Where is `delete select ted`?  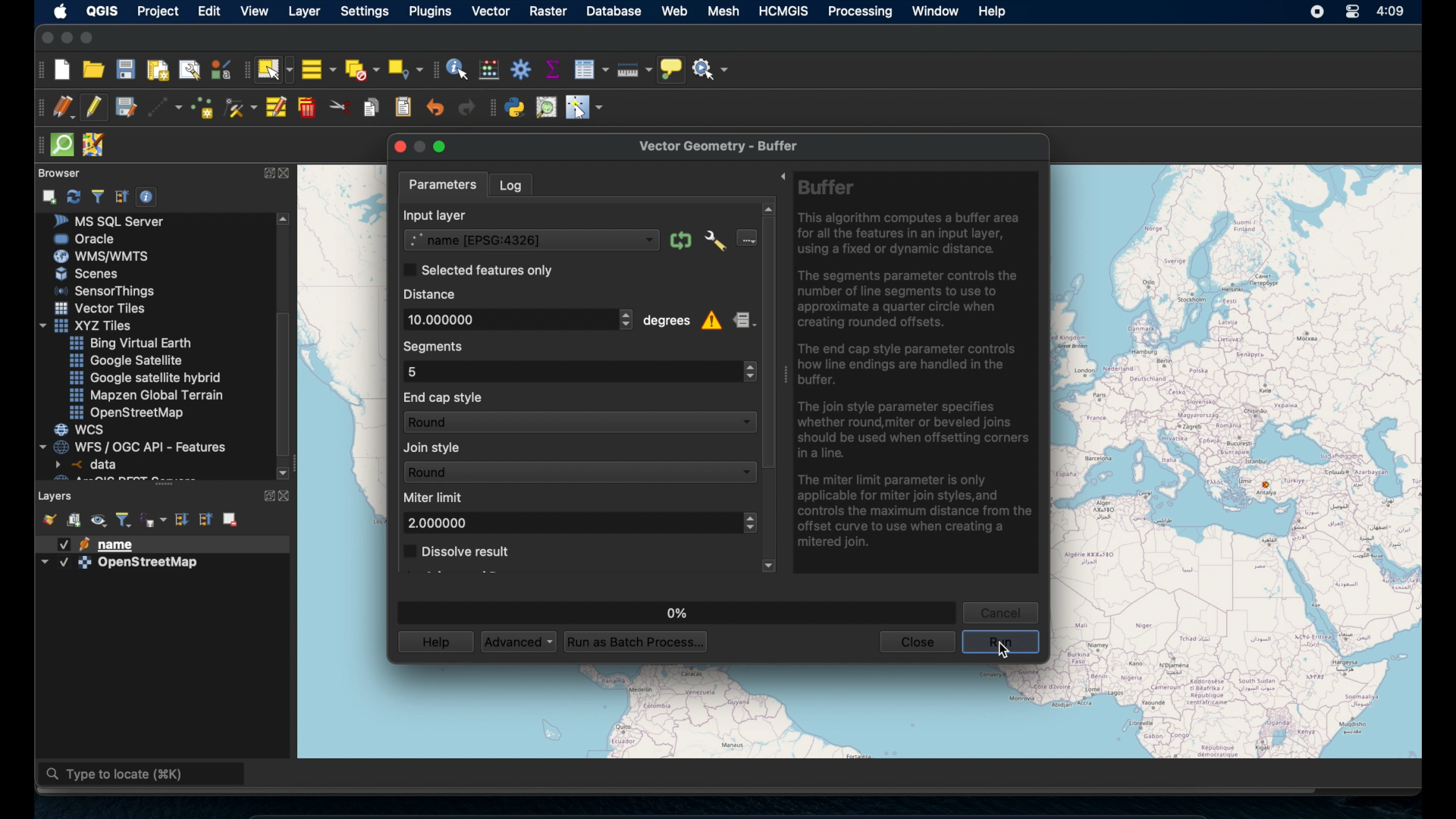 delete select ted is located at coordinates (307, 108).